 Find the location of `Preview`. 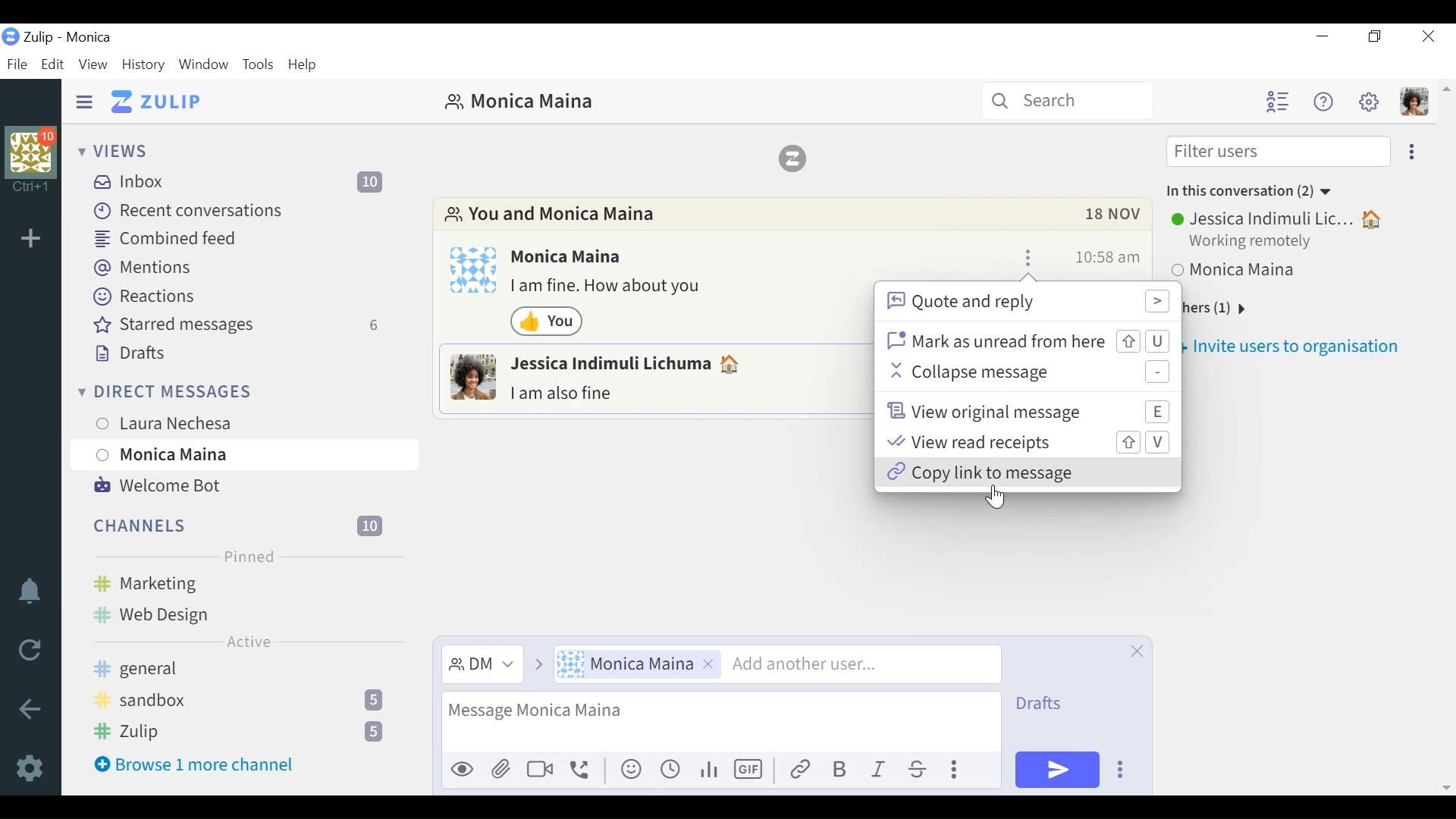

Preview is located at coordinates (462, 770).